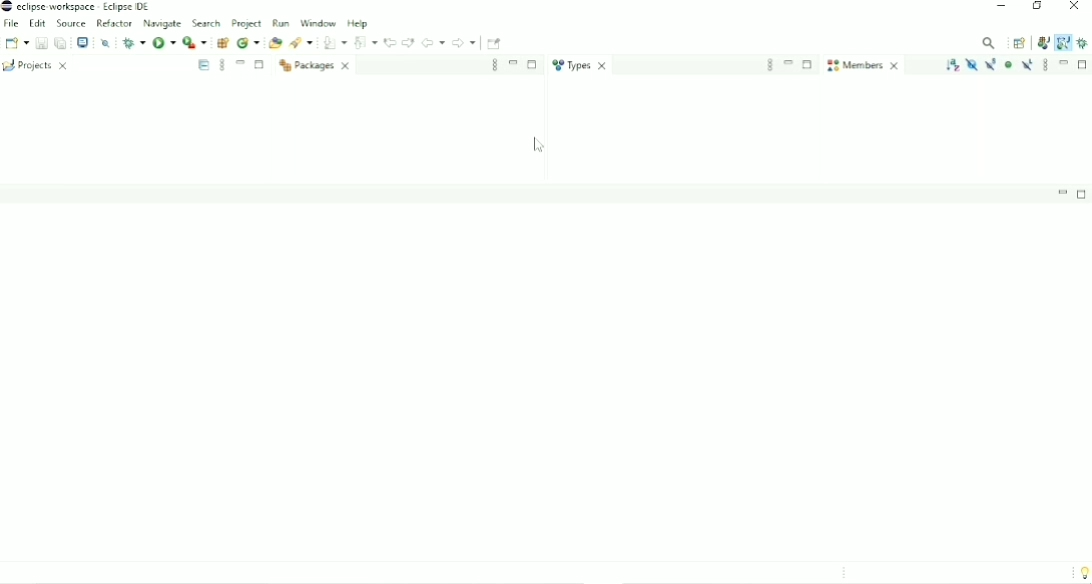 The height and width of the screenshot is (584, 1092). Describe the element at coordinates (1028, 65) in the screenshot. I see `Hide local types` at that location.